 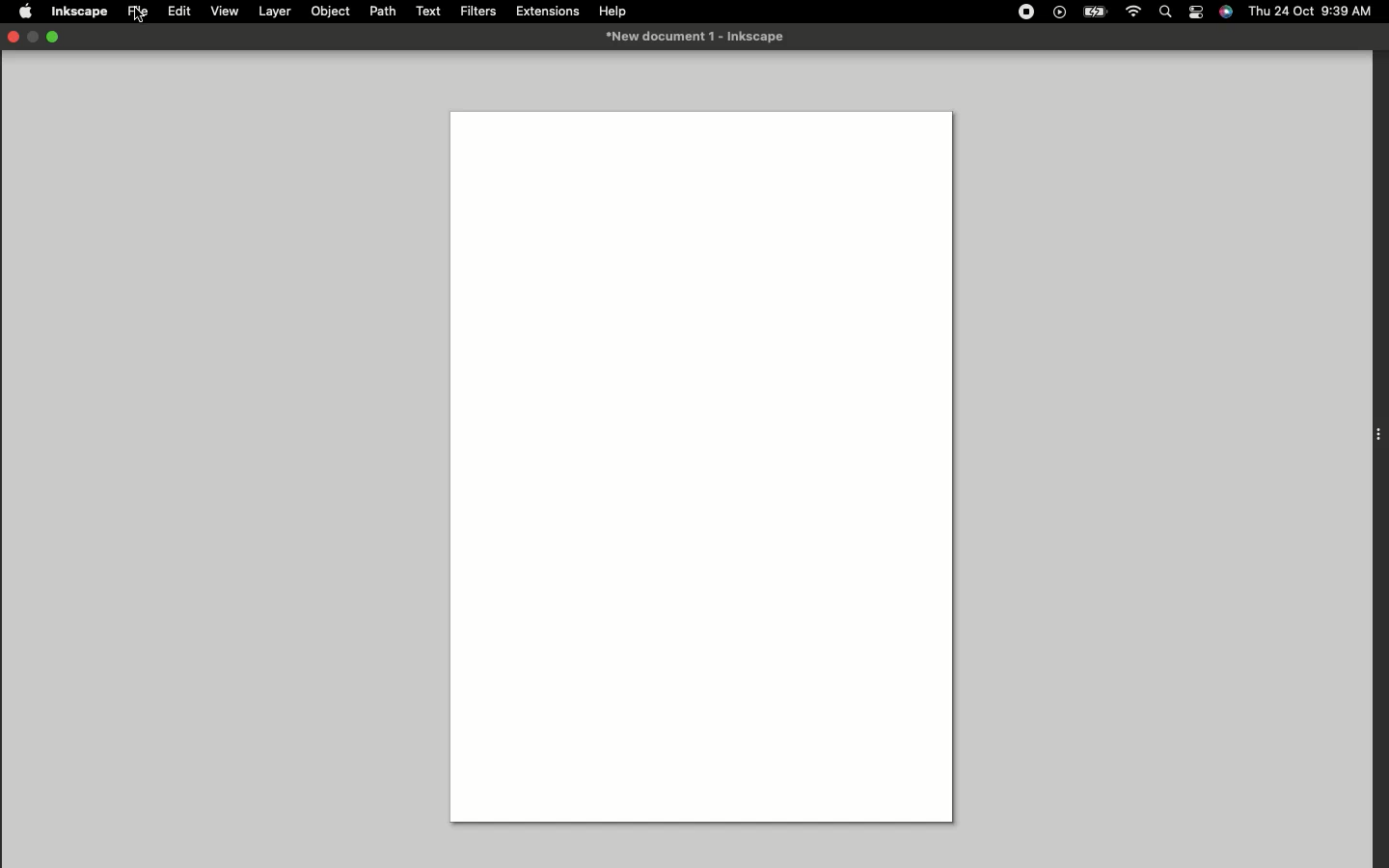 I want to click on minimise, so click(x=36, y=36).